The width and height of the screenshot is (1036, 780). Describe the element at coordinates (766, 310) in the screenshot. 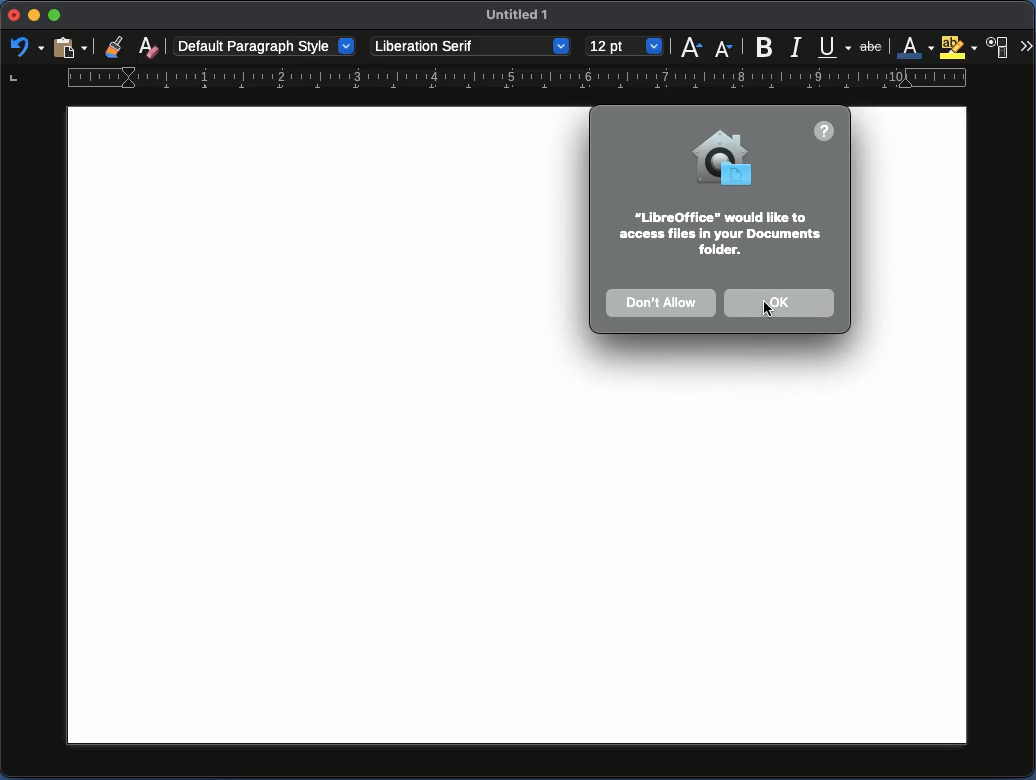

I see `Cursor` at that location.